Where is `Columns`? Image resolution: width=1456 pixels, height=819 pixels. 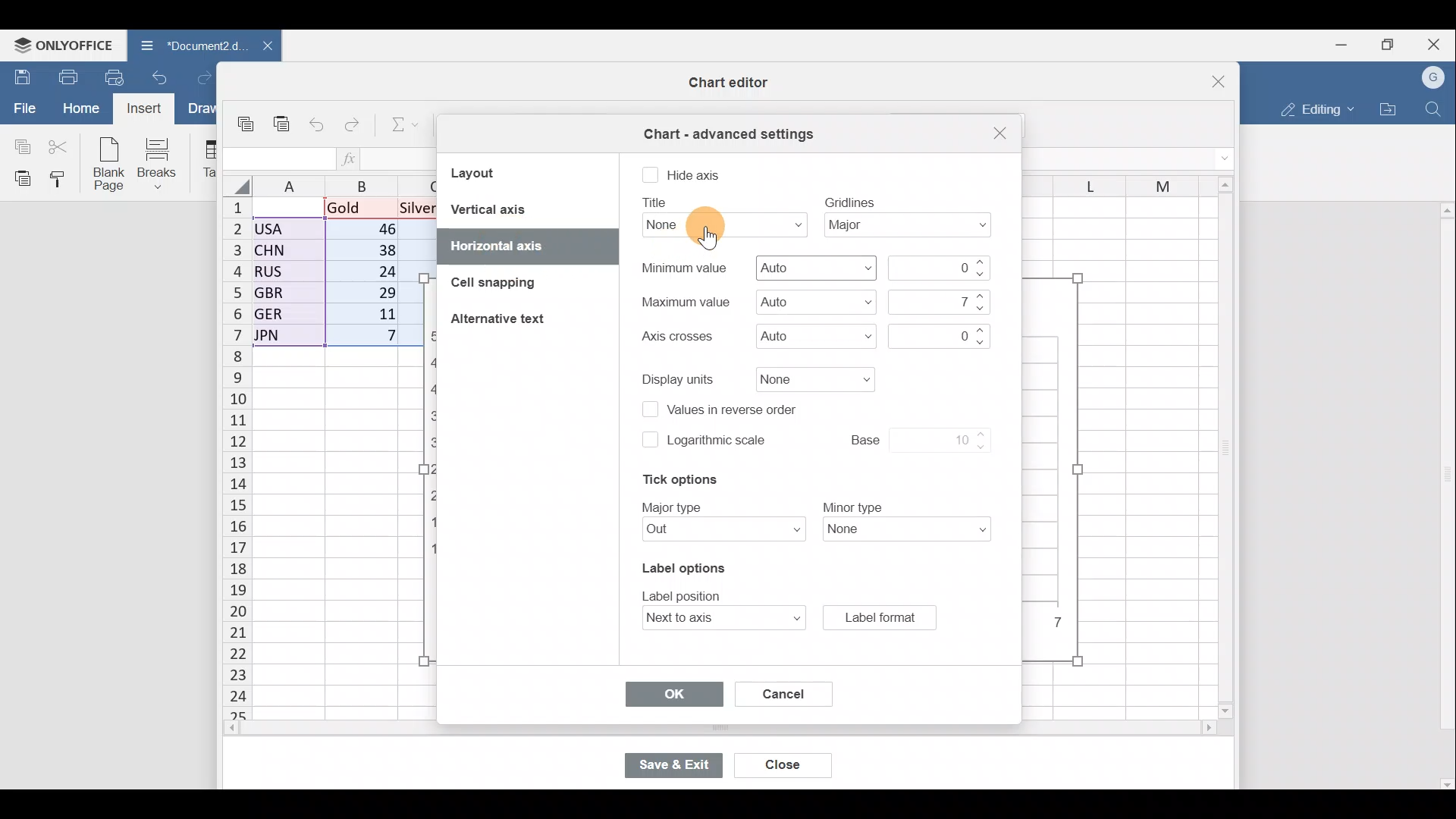 Columns is located at coordinates (1110, 180).